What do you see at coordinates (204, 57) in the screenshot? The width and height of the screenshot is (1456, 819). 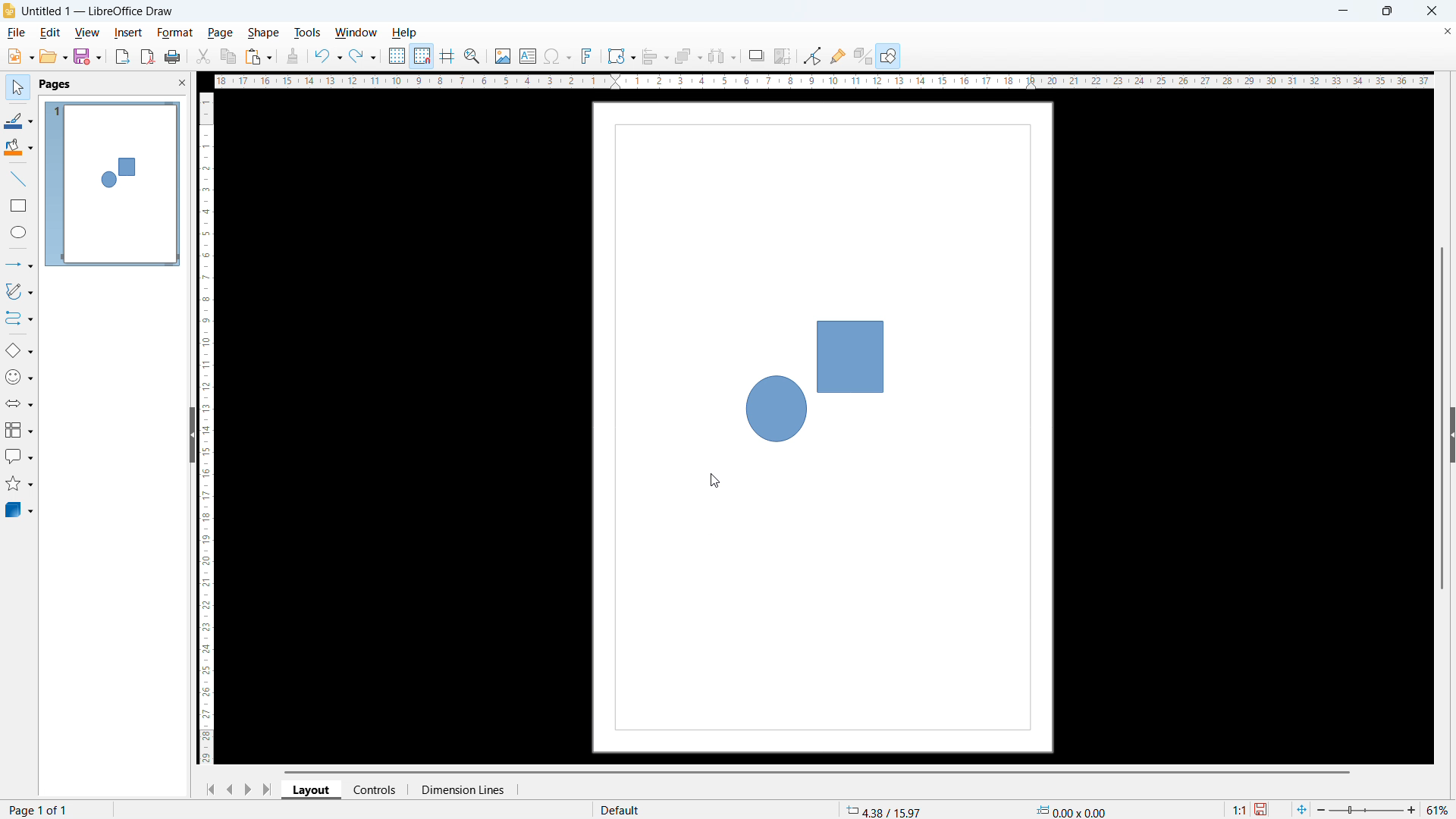 I see `cut` at bounding box center [204, 57].